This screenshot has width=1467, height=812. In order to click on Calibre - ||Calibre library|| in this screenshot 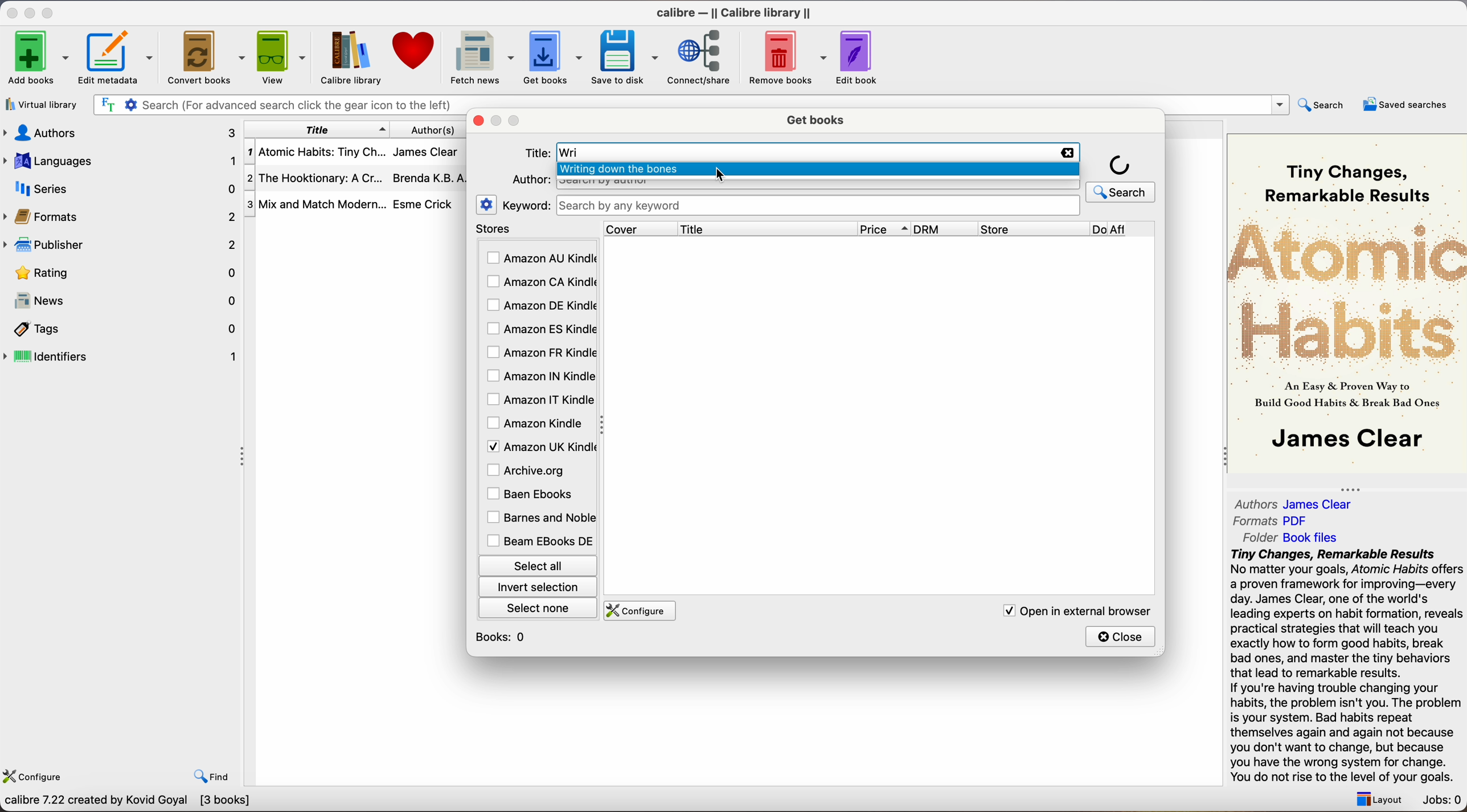, I will do `click(733, 13)`.